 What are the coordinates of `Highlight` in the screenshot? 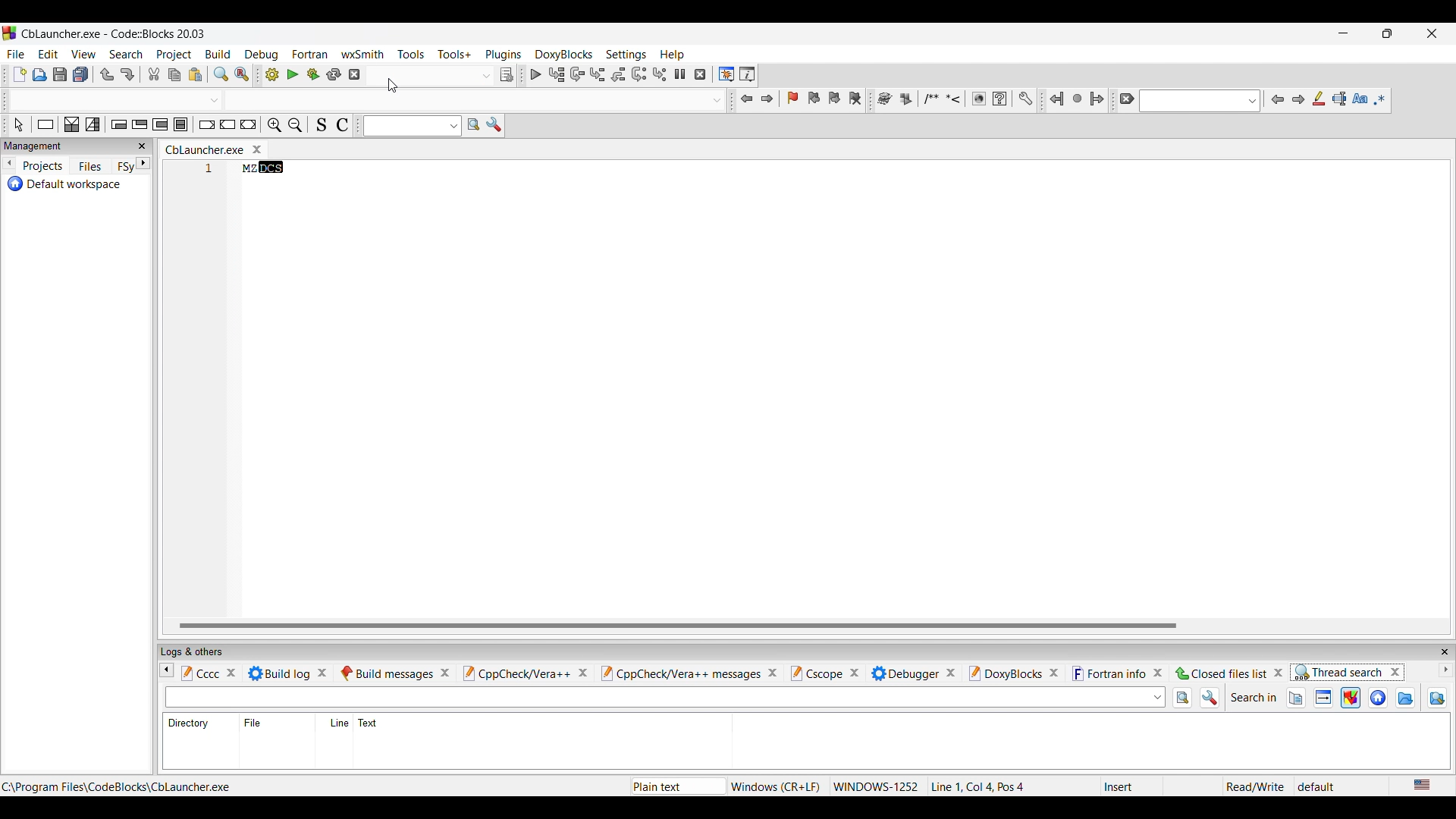 It's located at (1319, 99).